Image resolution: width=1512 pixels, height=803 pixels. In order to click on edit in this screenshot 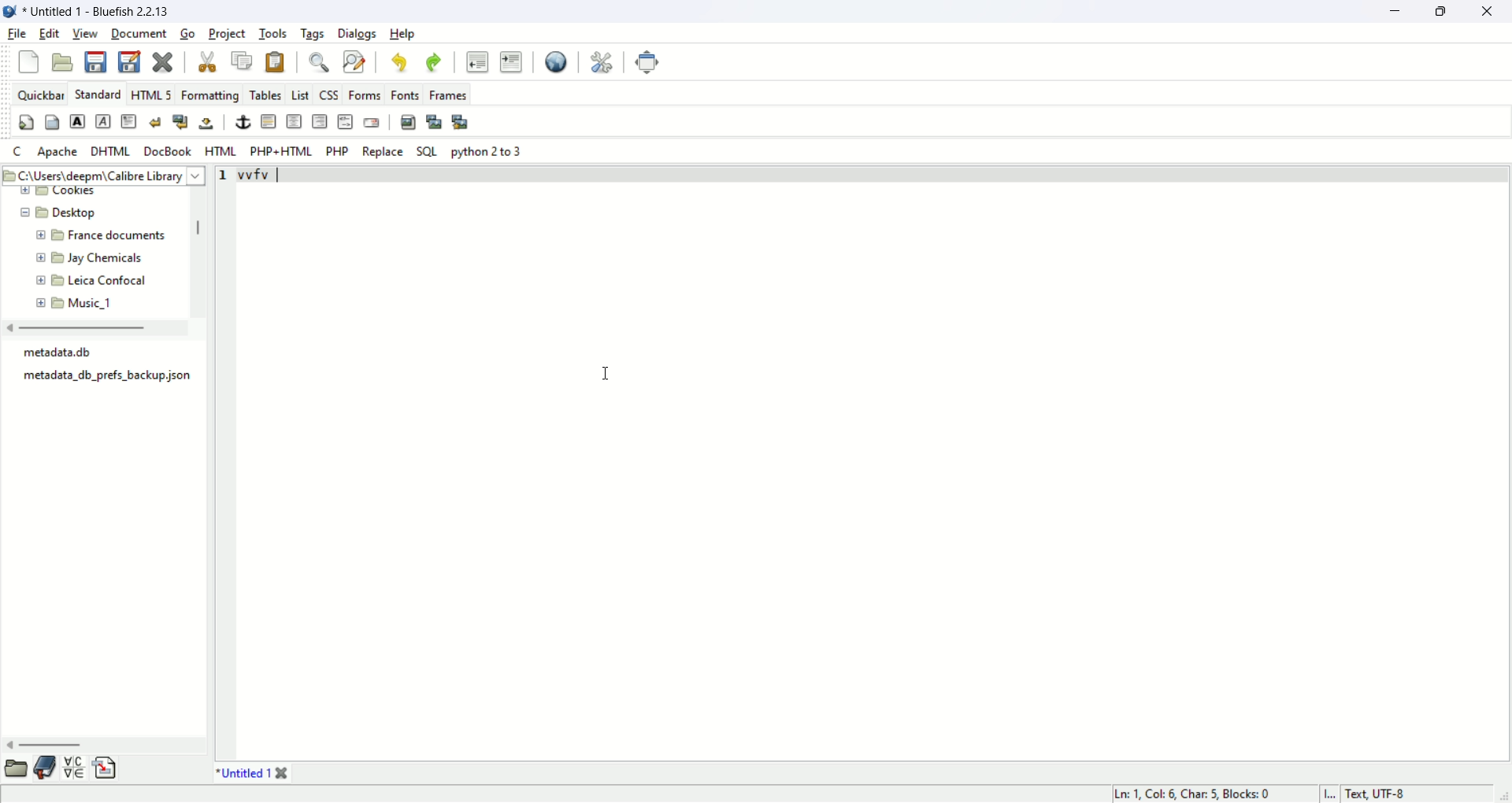, I will do `click(53, 34)`.